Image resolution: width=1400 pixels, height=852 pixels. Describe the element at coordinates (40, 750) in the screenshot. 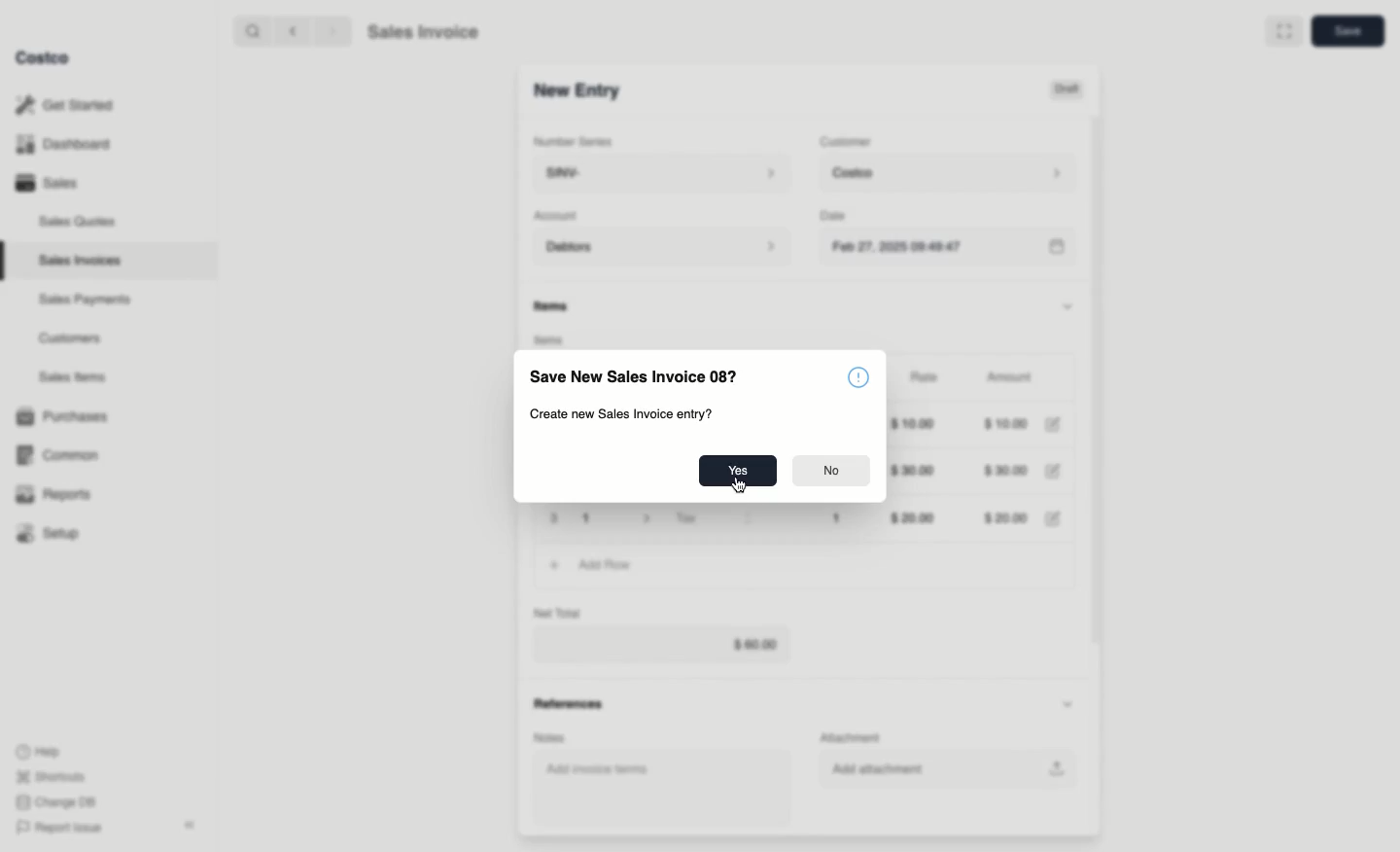

I see `Help` at that location.